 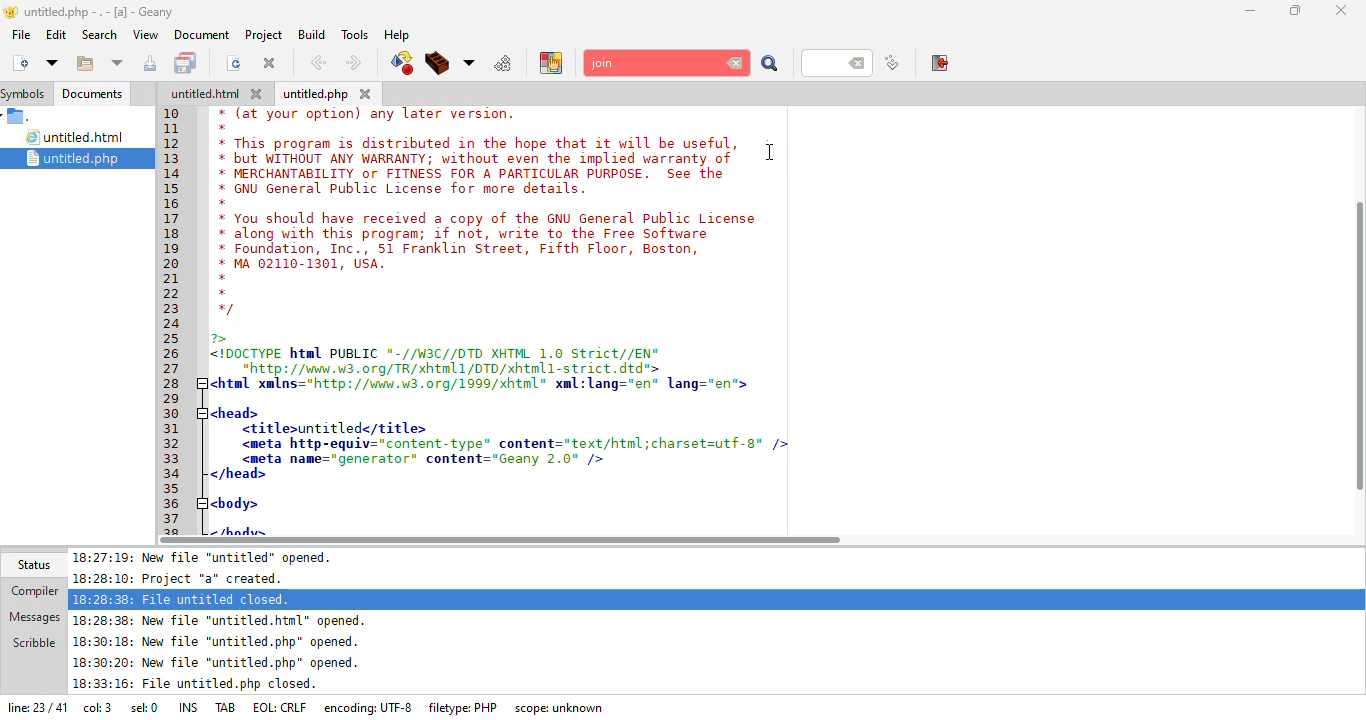 I want to click on edit, so click(x=55, y=34).